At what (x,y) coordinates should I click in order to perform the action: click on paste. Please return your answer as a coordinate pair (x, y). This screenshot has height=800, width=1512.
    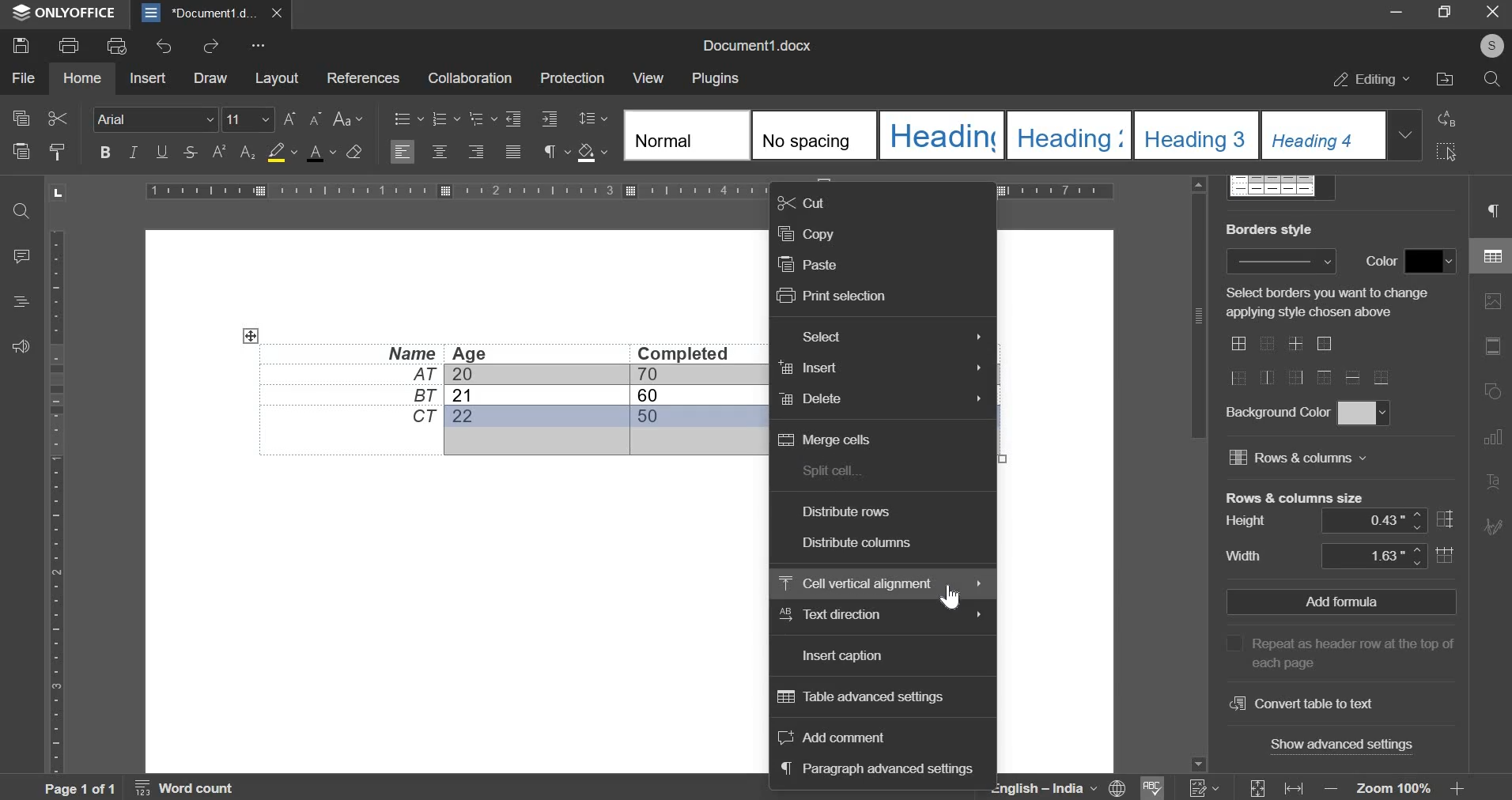
    Looking at the image, I should click on (19, 151).